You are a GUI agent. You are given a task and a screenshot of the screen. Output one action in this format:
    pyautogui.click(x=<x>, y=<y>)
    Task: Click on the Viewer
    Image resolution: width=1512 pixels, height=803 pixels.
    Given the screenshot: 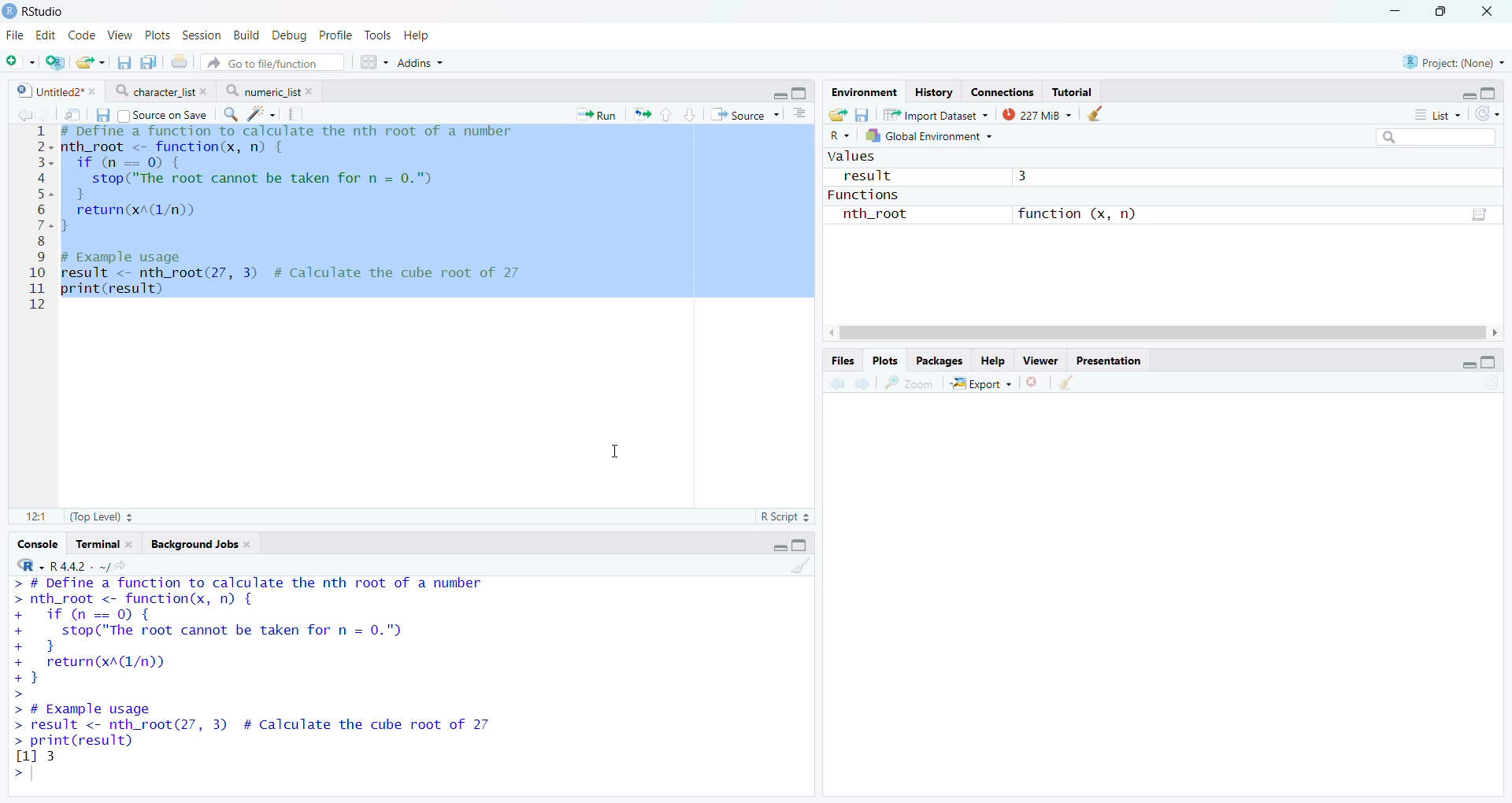 What is the action you would take?
    pyautogui.click(x=1040, y=360)
    